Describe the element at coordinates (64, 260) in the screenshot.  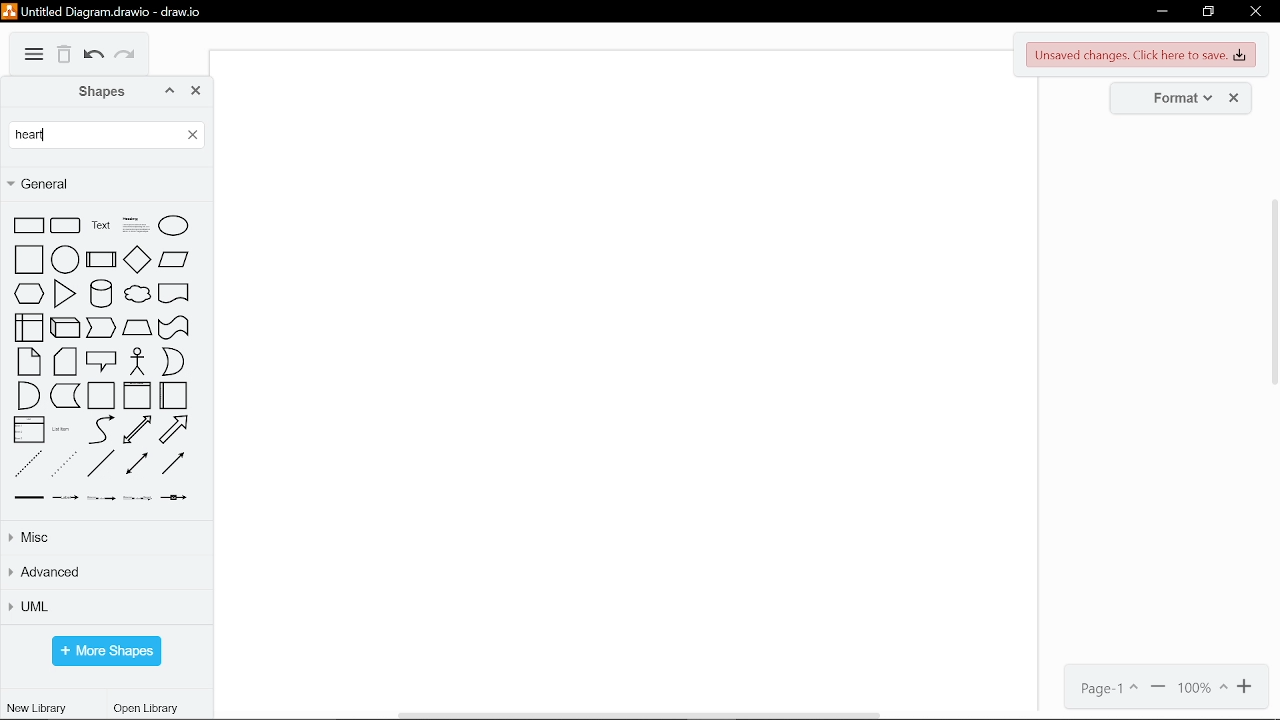
I see `circle` at that location.